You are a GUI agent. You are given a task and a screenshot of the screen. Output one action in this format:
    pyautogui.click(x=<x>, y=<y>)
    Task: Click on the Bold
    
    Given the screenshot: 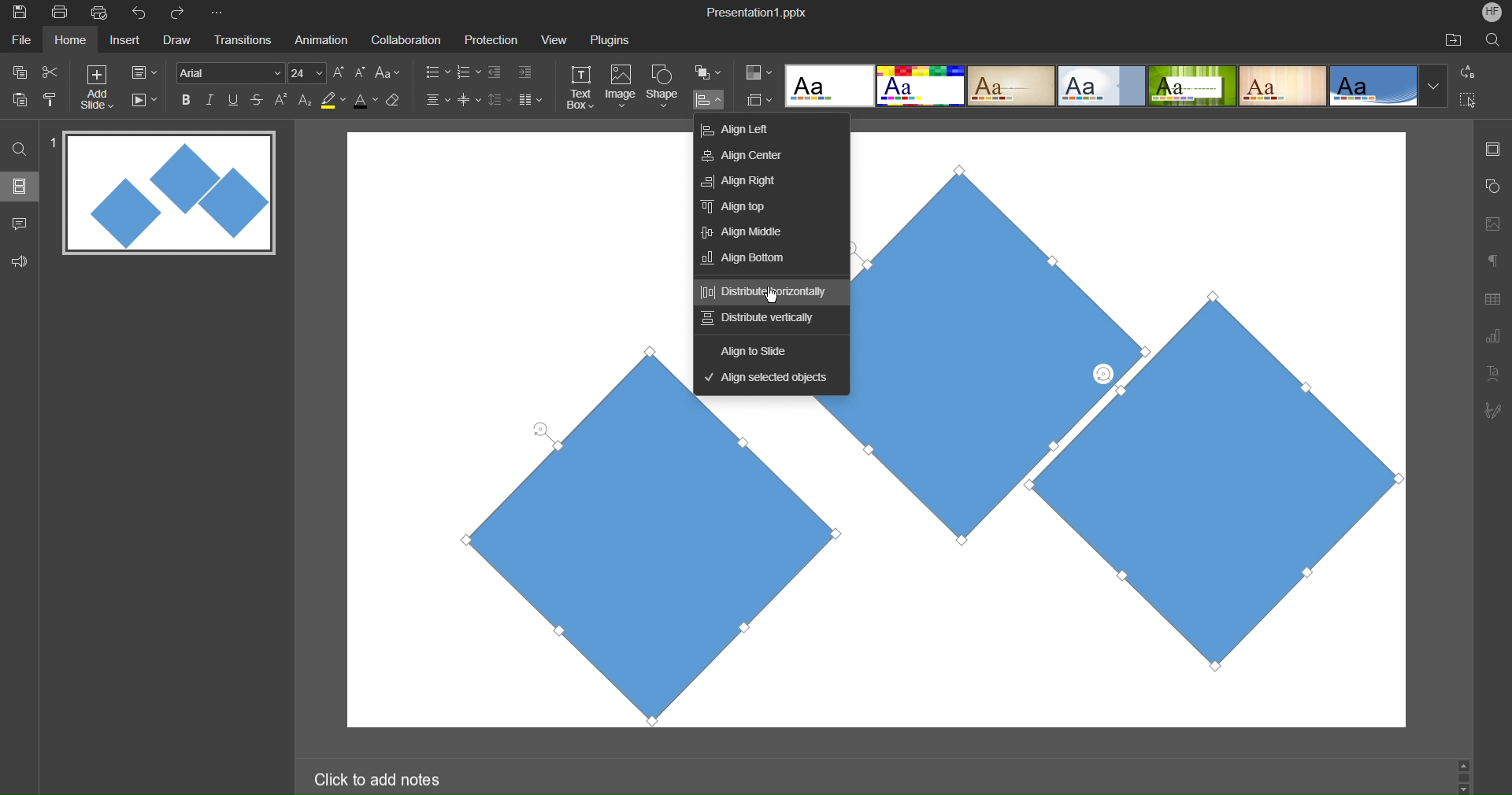 What is the action you would take?
    pyautogui.click(x=187, y=99)
    